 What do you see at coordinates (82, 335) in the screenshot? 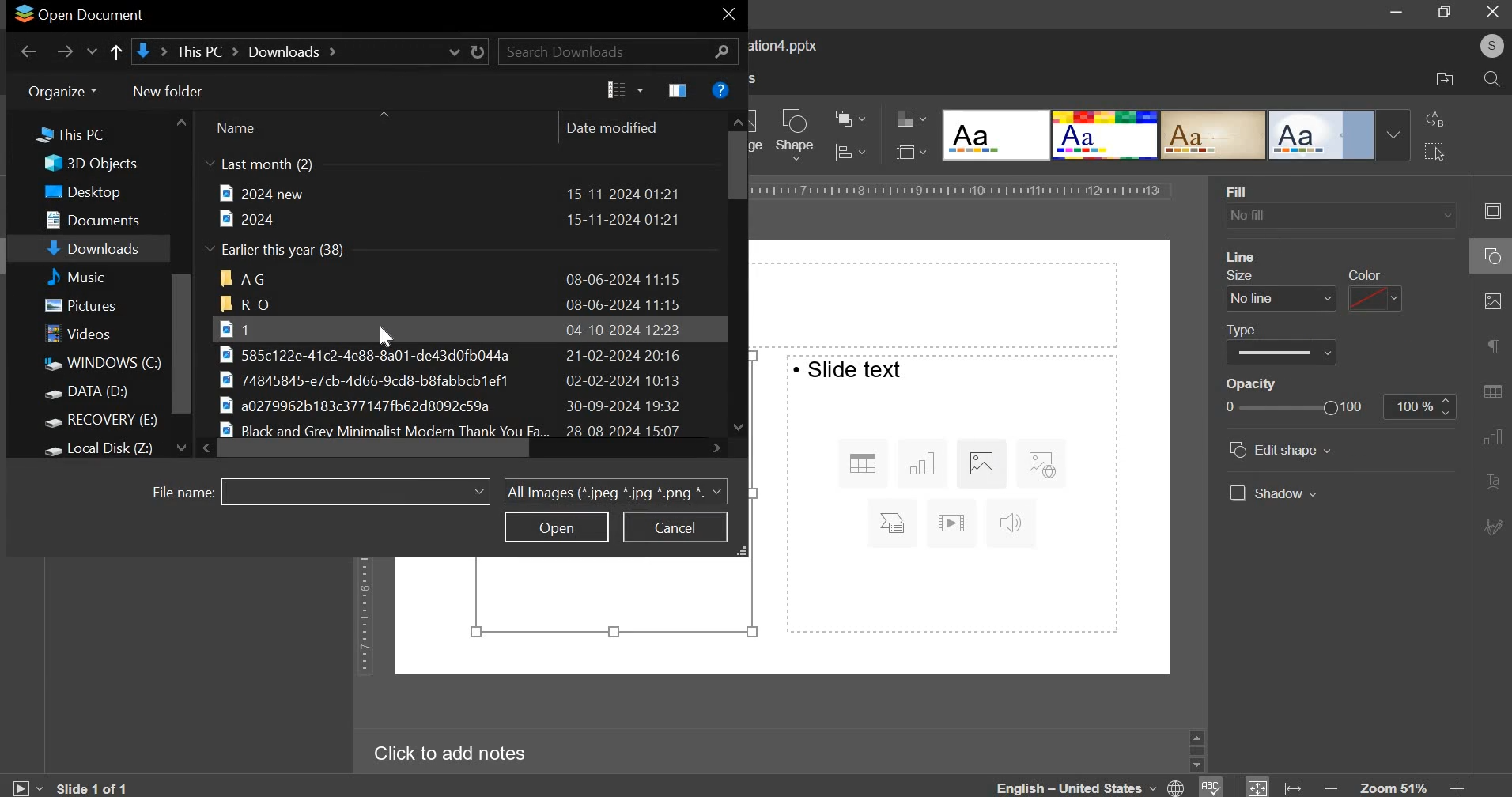
I see `videos` at bounding box center [82, 335].